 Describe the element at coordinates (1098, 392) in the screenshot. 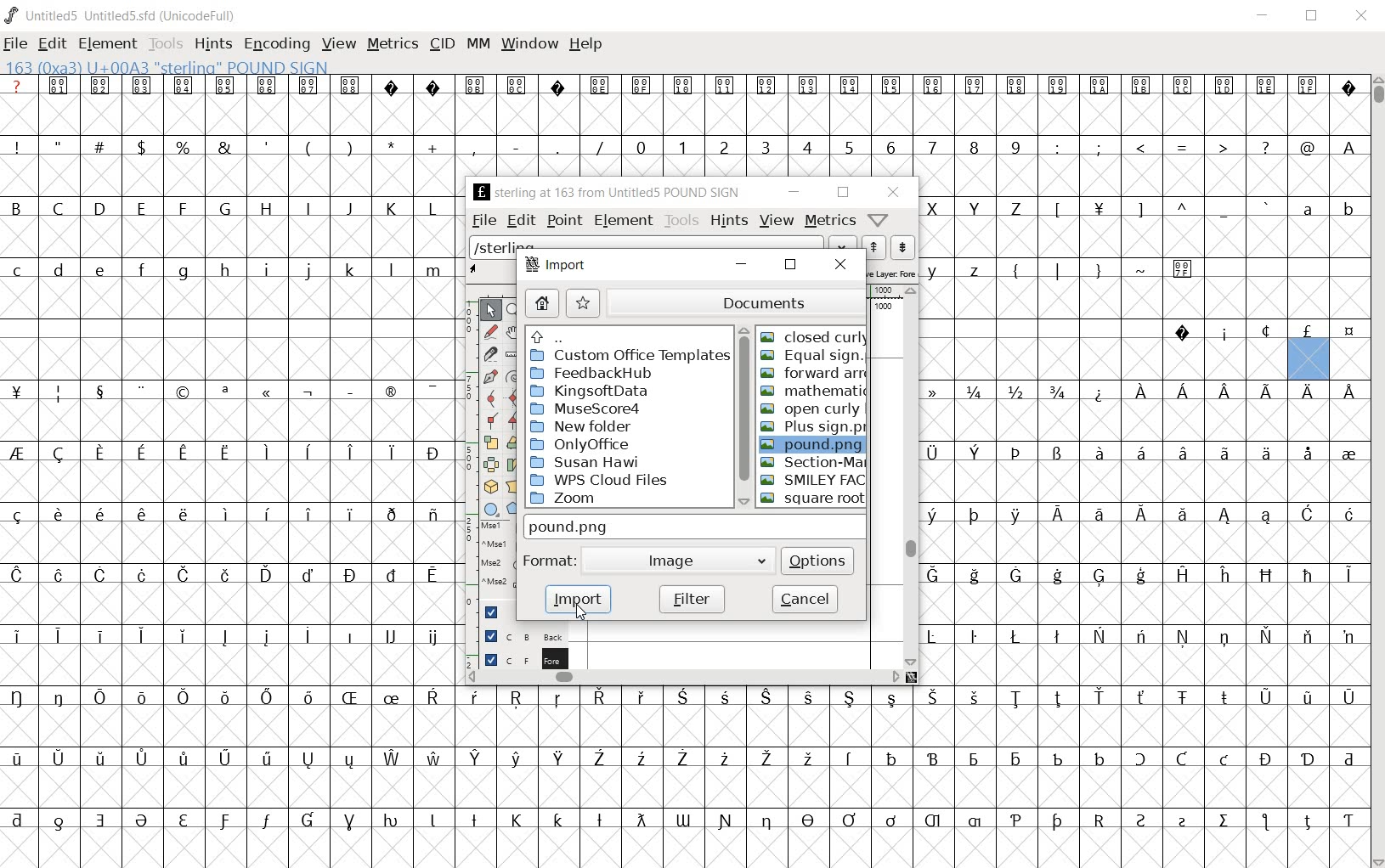

I see `Symbol` at that location.